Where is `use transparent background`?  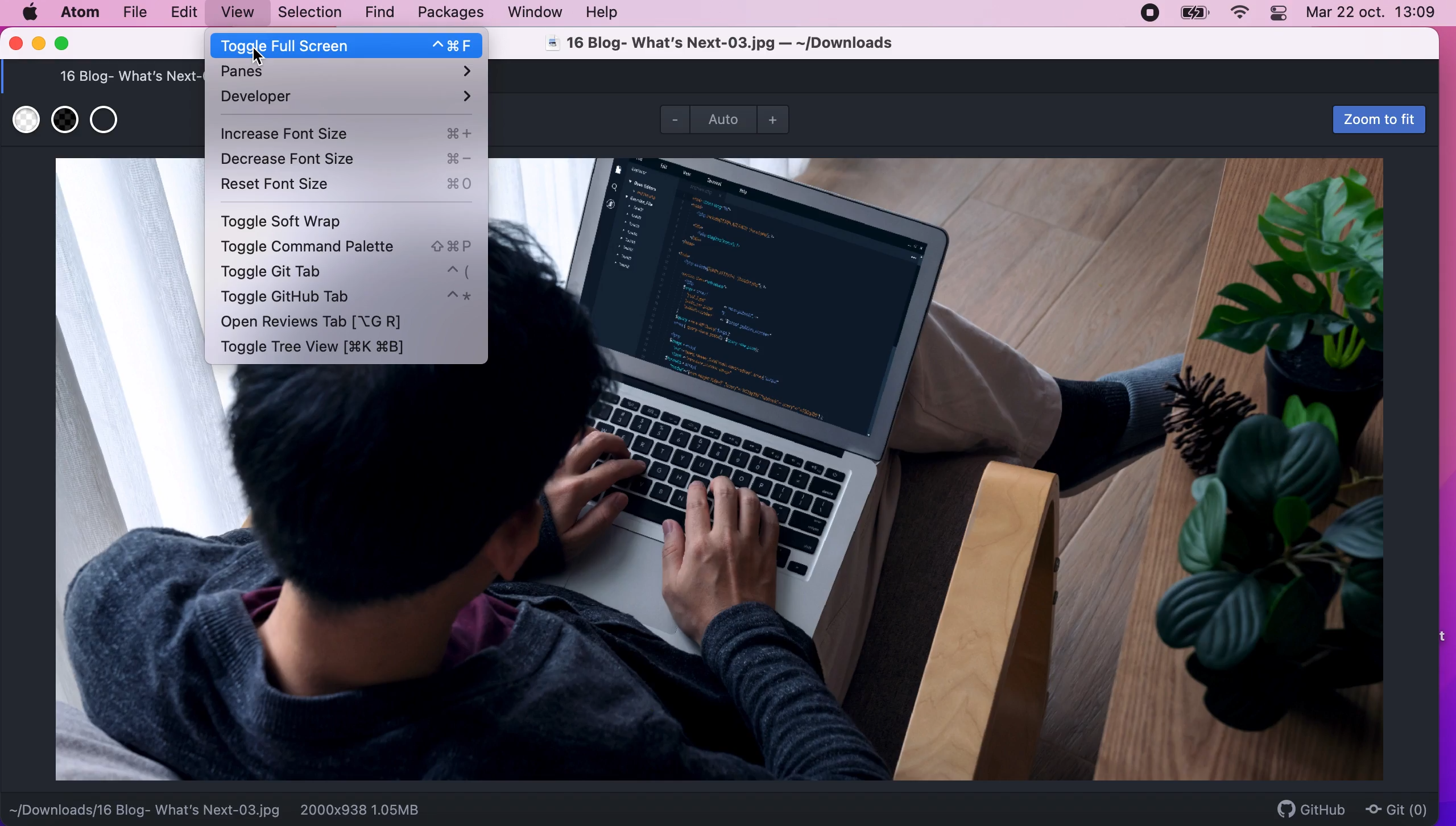
use transparent background is located at coordinates (107, 122).